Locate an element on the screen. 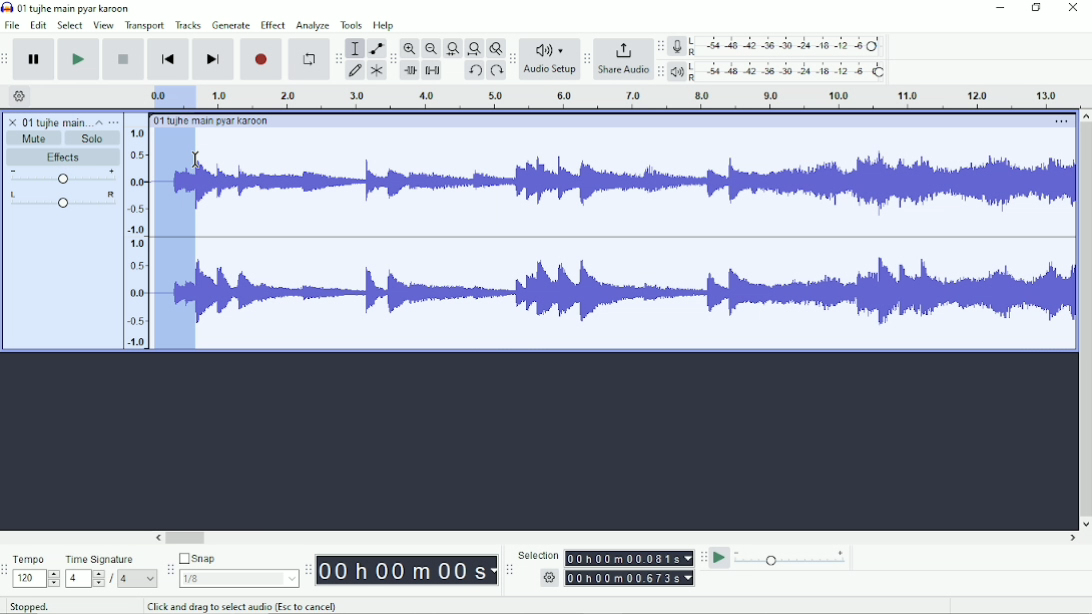  Pause is located at coordinates (35, 60).